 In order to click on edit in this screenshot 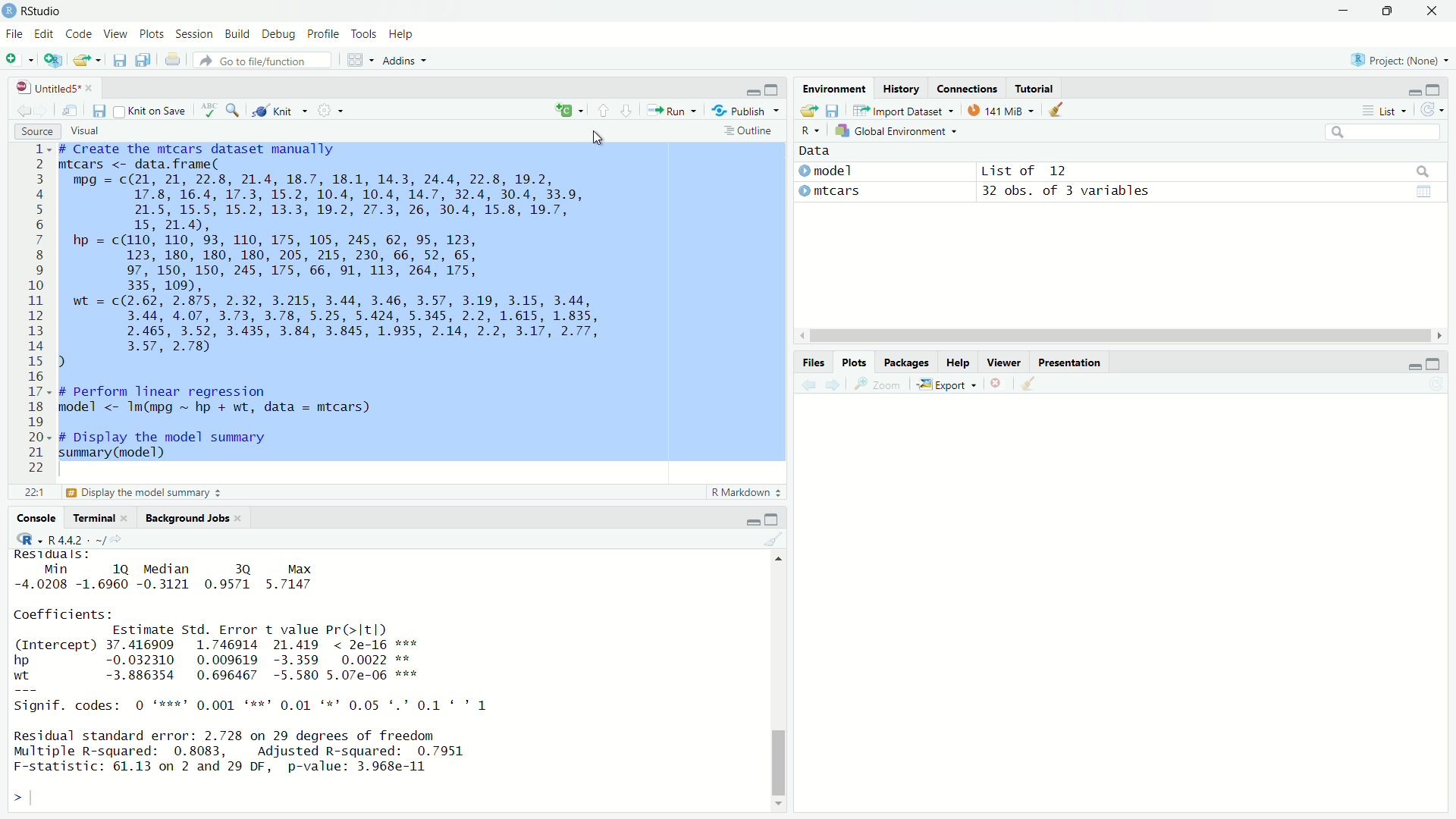, I will do `click(43, 34)`.